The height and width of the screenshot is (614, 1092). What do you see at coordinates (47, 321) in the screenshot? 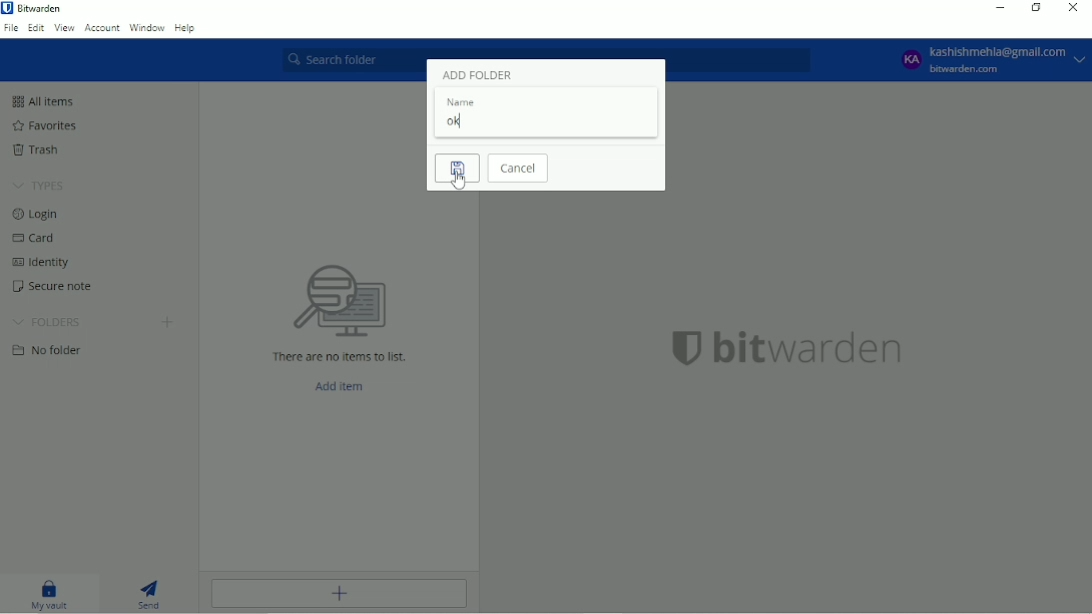
I see `Folders` at bounding box center [47, 321].